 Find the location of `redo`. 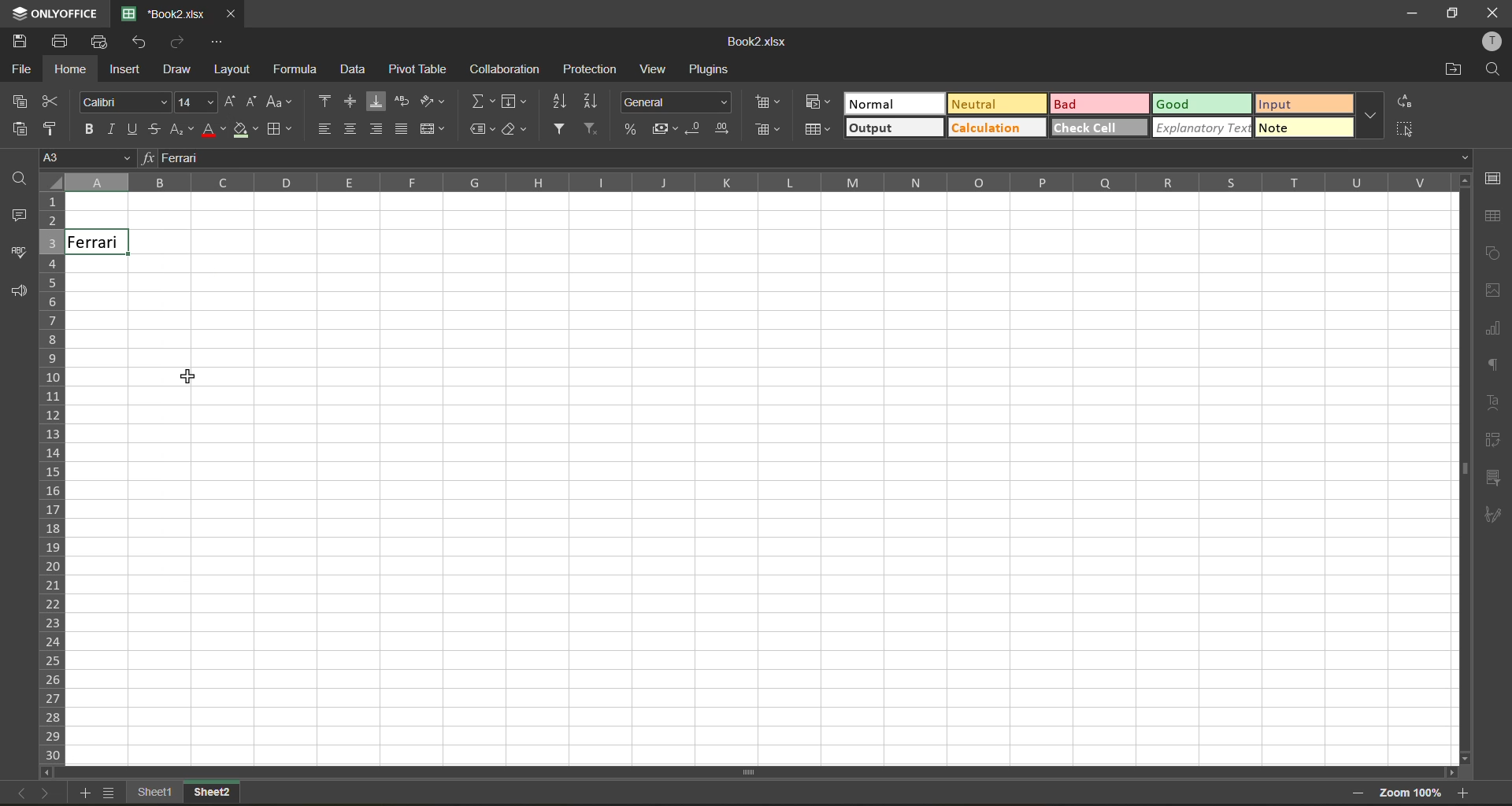

redo is located at coordinates (176, 43).